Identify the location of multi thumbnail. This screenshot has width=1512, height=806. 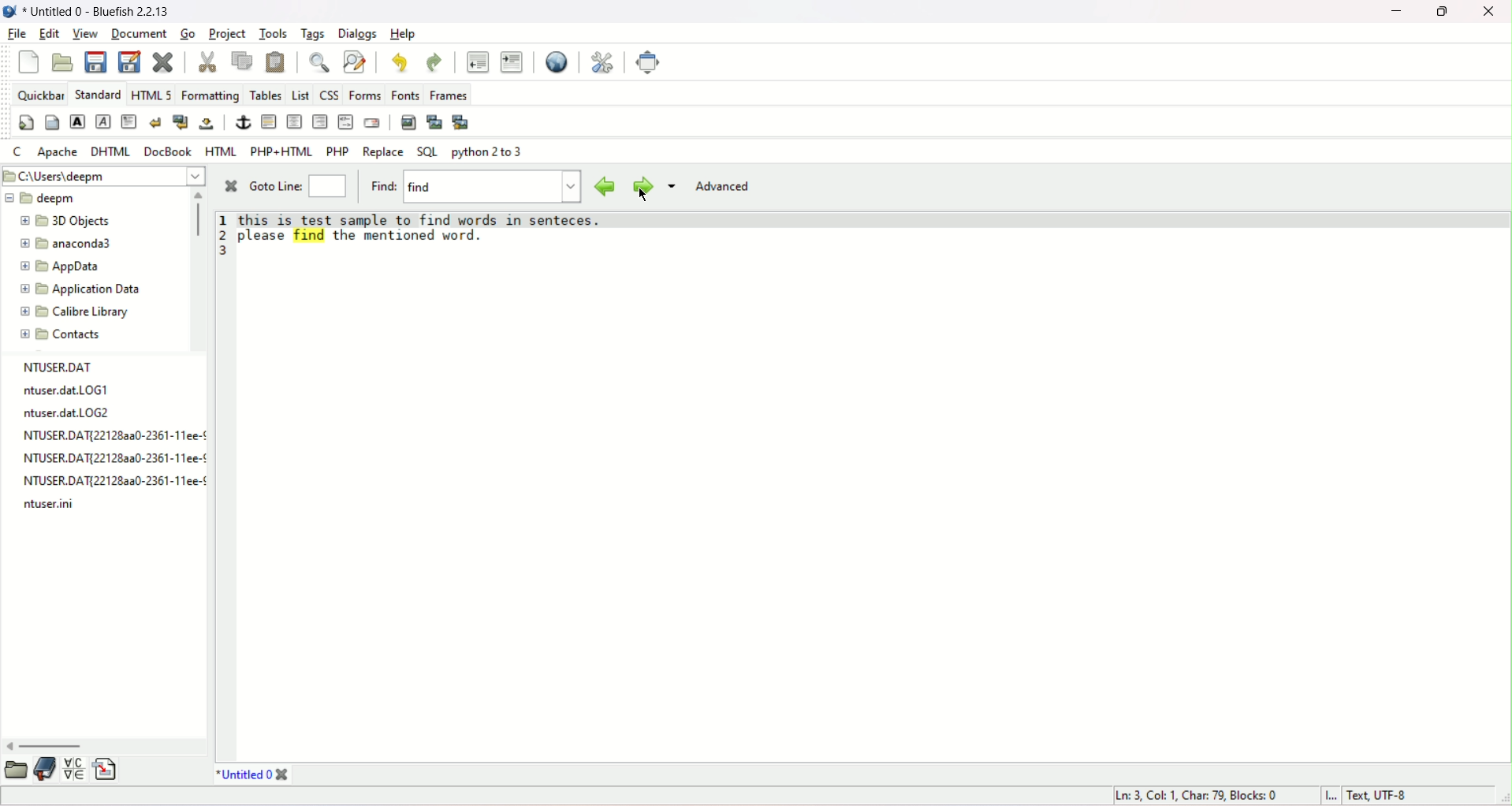
(462, 122).